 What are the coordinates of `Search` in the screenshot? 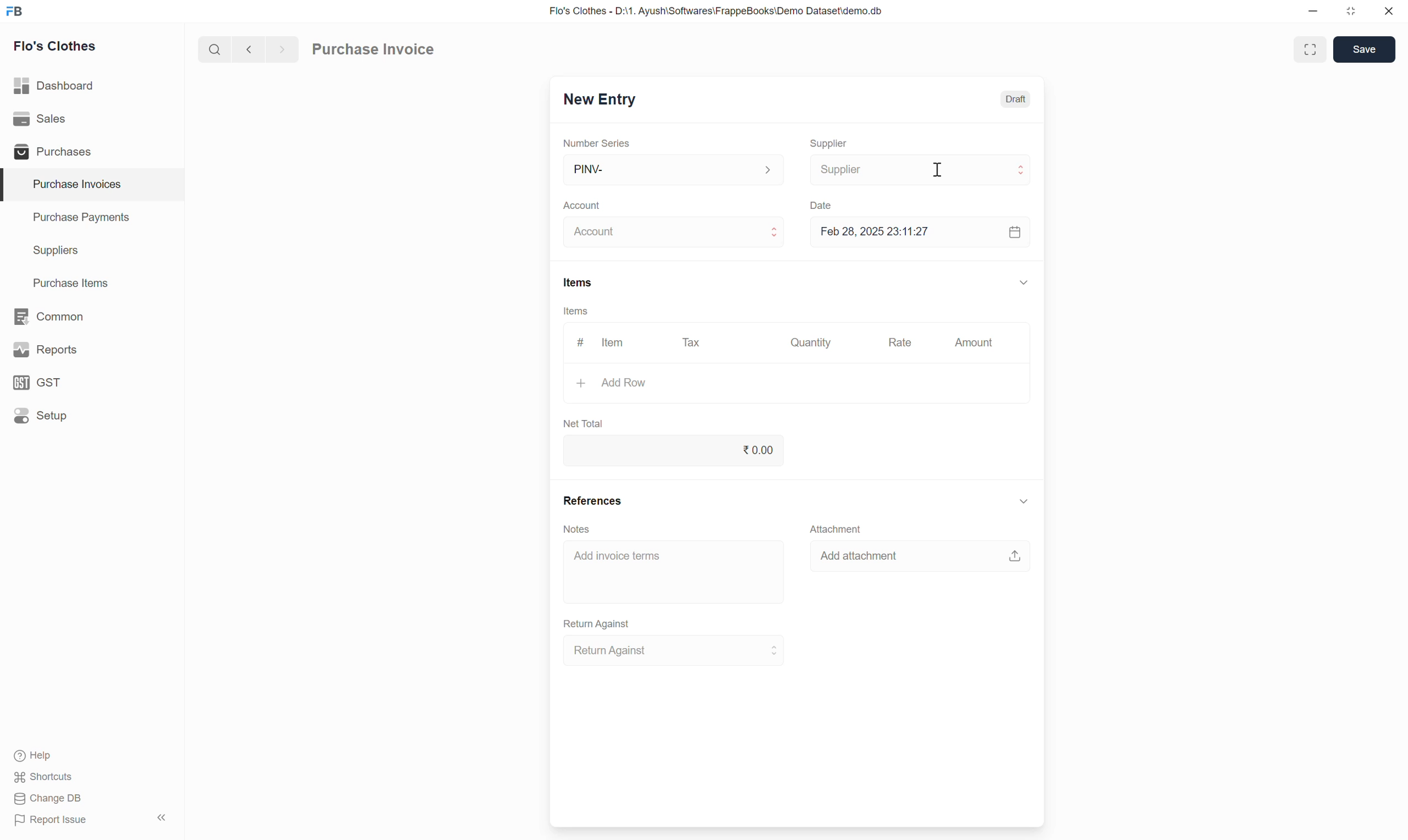 It's located at (215, 49).